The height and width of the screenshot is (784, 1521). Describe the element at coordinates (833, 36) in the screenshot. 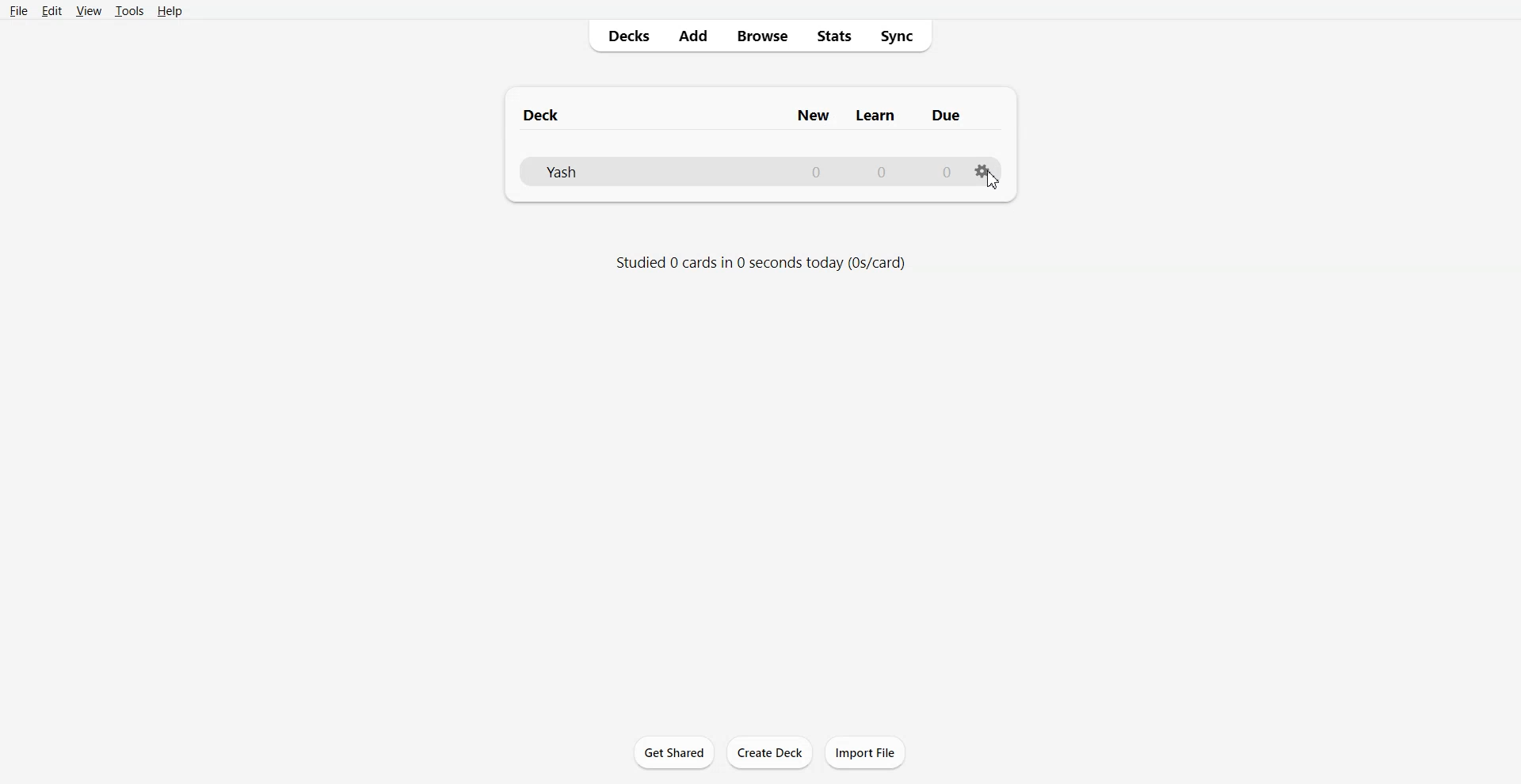

I see `Stats` at that location.